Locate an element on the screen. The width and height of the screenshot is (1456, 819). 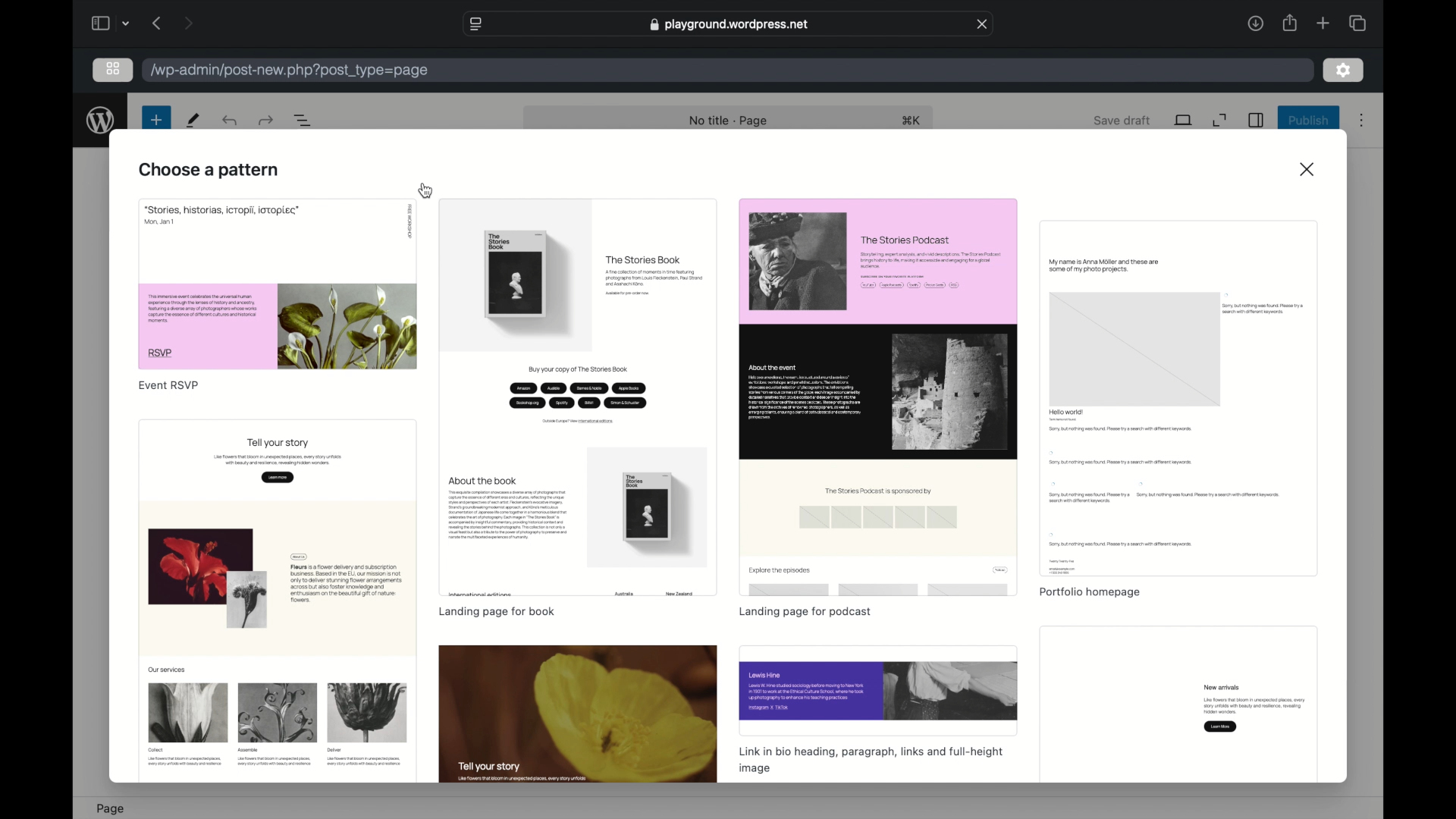
cursor is located at coordinates (427, 190).